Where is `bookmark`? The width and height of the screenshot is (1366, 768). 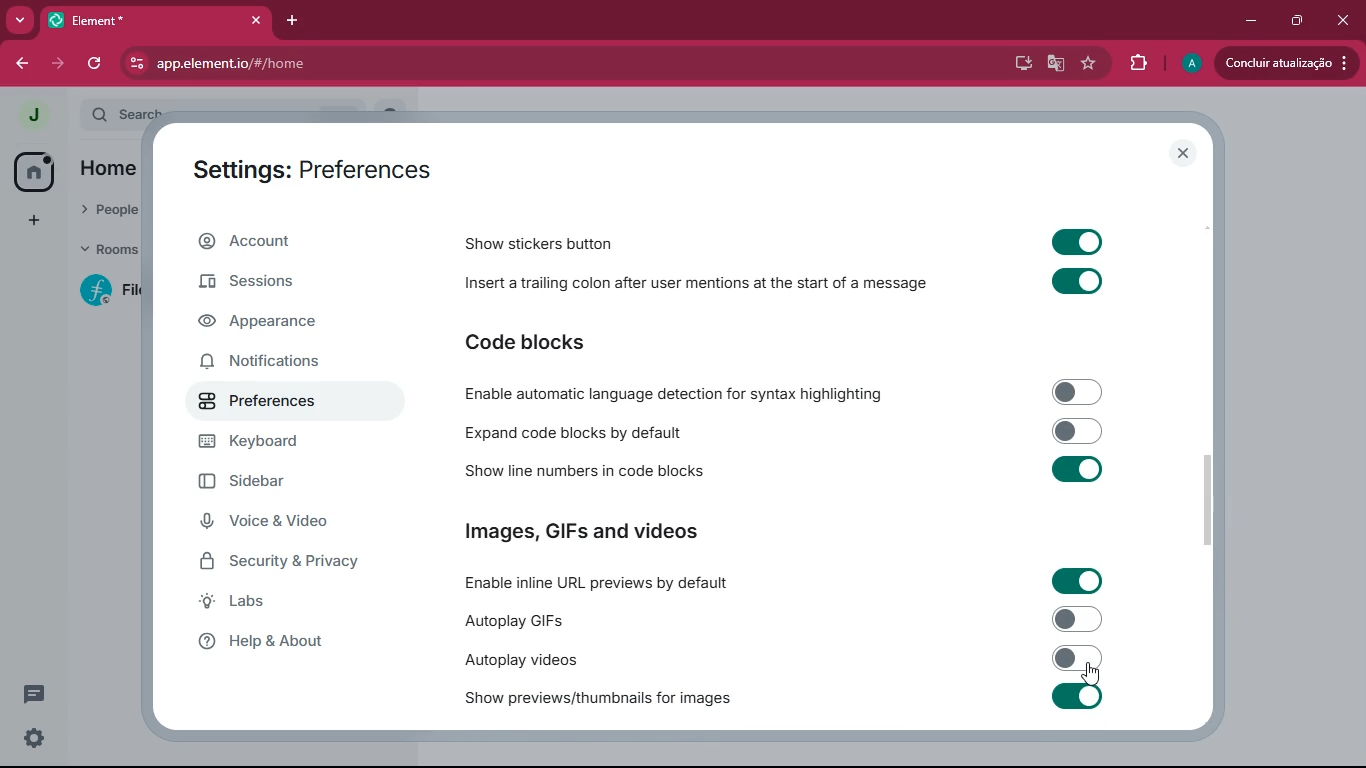
bookmark is located at coordinates (1089, 65).